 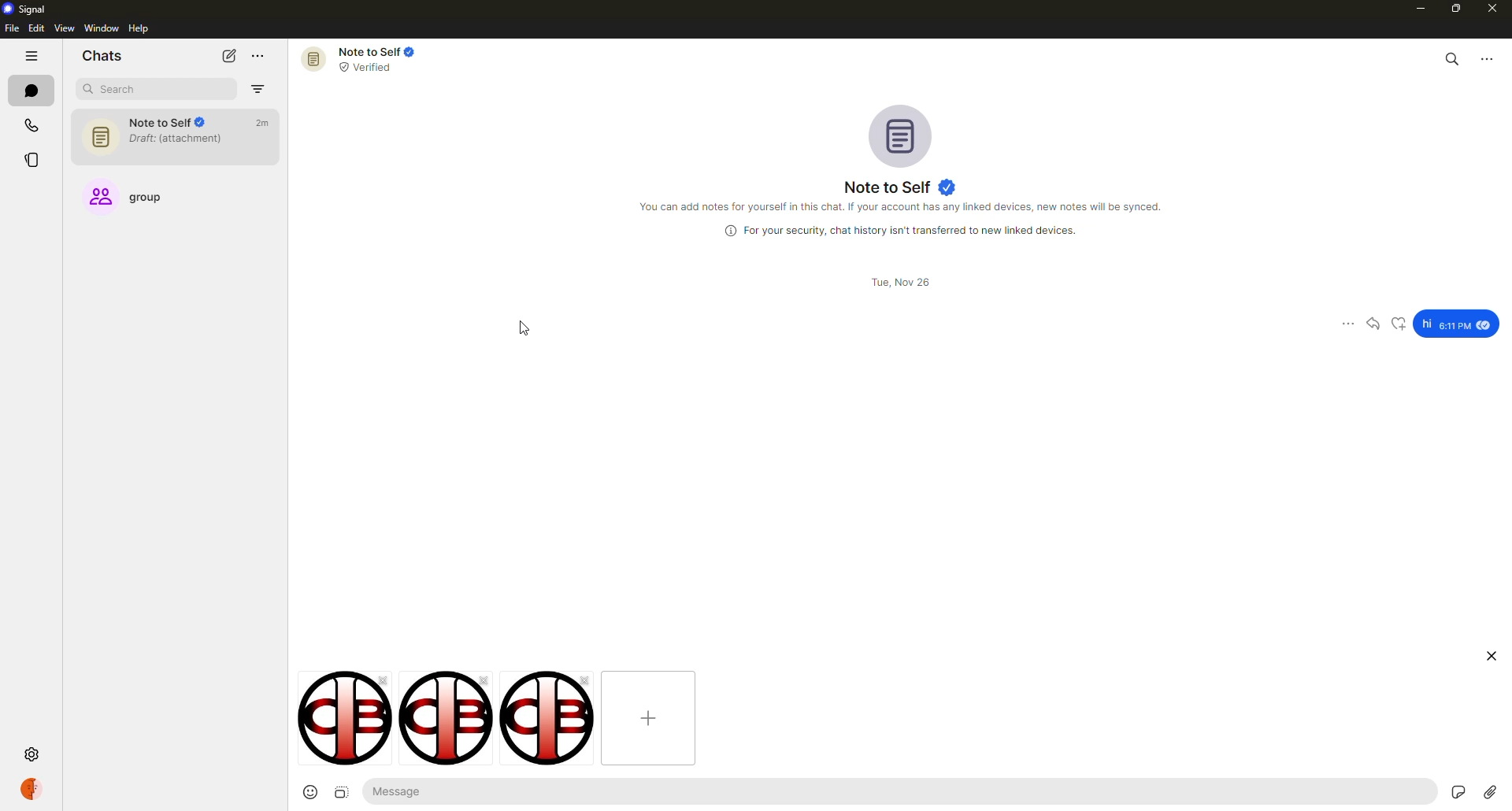 What do you see at coordinates (31, 788) in the screenshot?
I see `profile` at bounding box center [31, 788].